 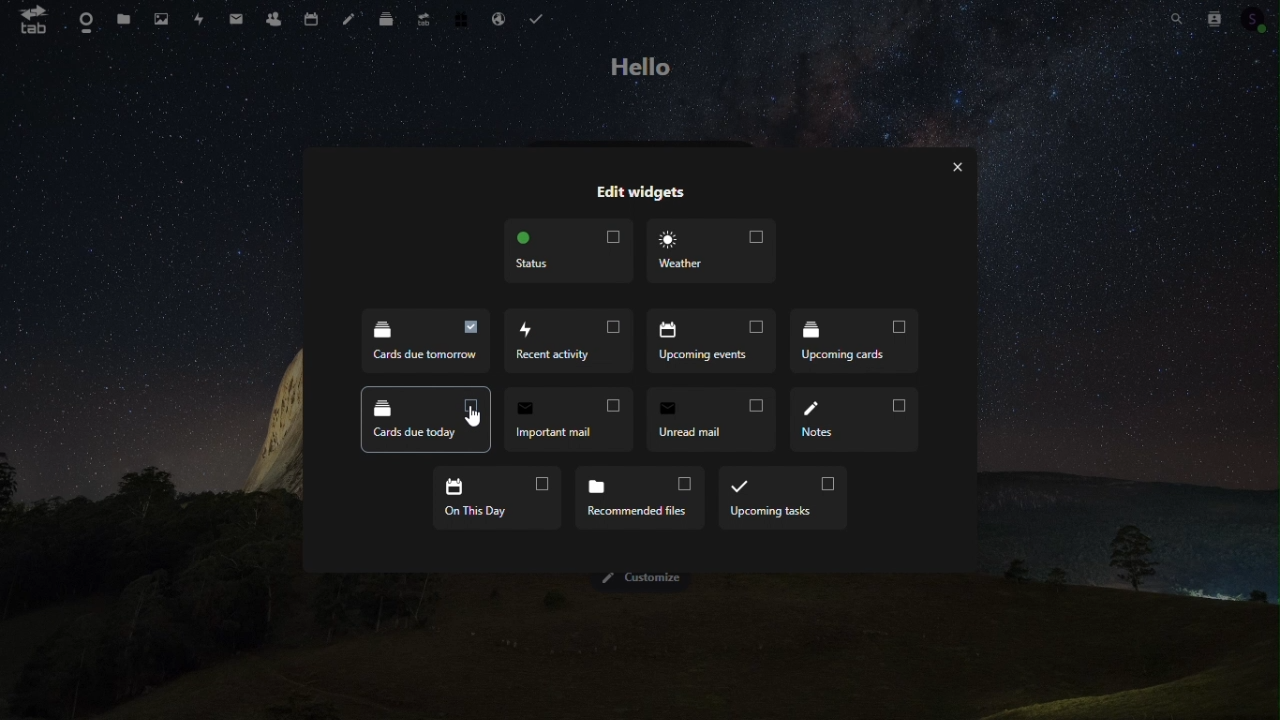 What do you see at coordinates (347, 16) in the screenshot?
I see `Notes` at bounding box center [347, 16].